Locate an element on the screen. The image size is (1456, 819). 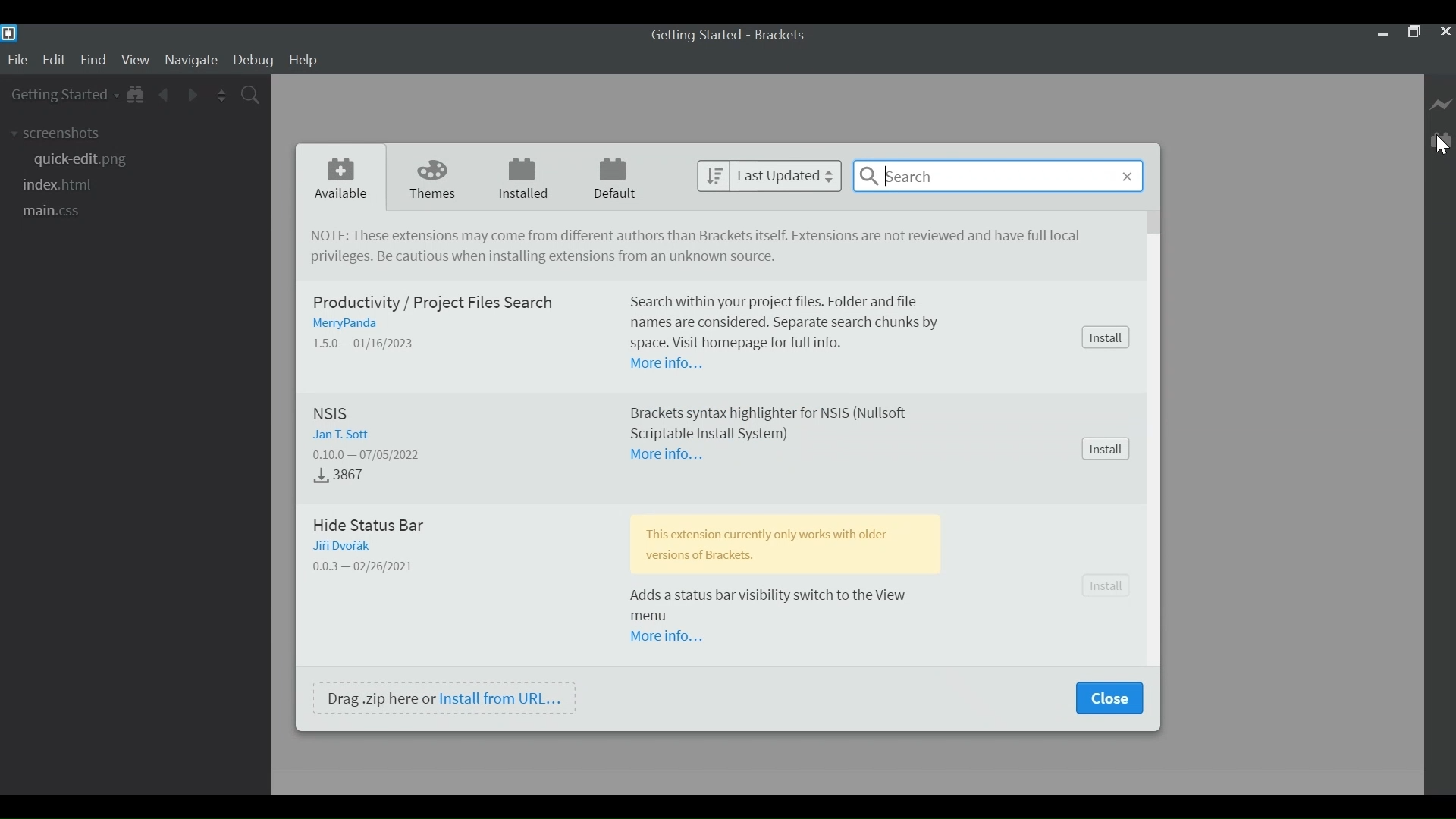
Find in Files is located at coordinates (252, 96).